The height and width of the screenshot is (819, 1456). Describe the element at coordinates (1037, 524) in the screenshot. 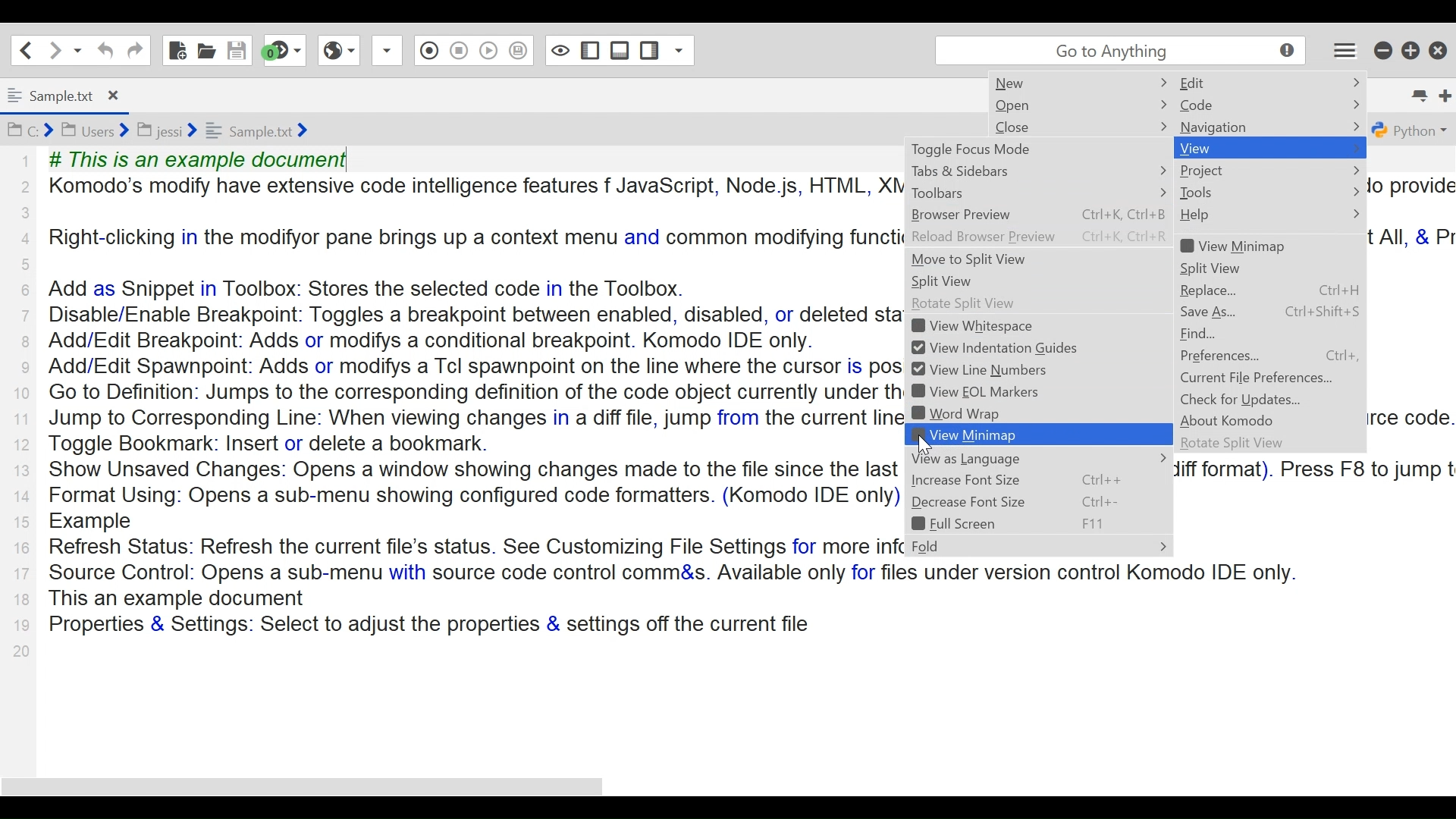

I see `Full Screen` at that location.